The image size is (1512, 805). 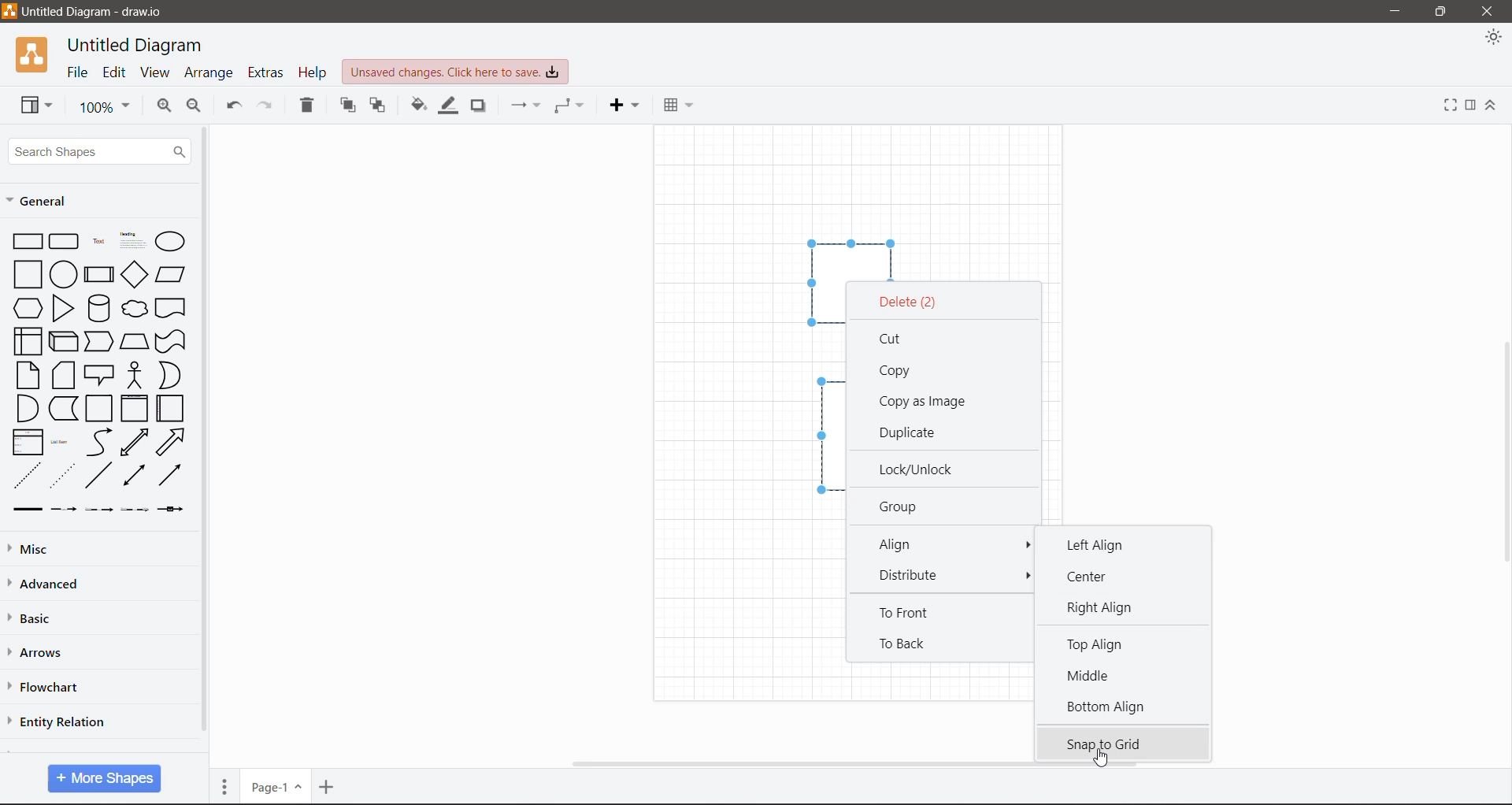 I want to click on Duplicate, so click(x=913, y=432).